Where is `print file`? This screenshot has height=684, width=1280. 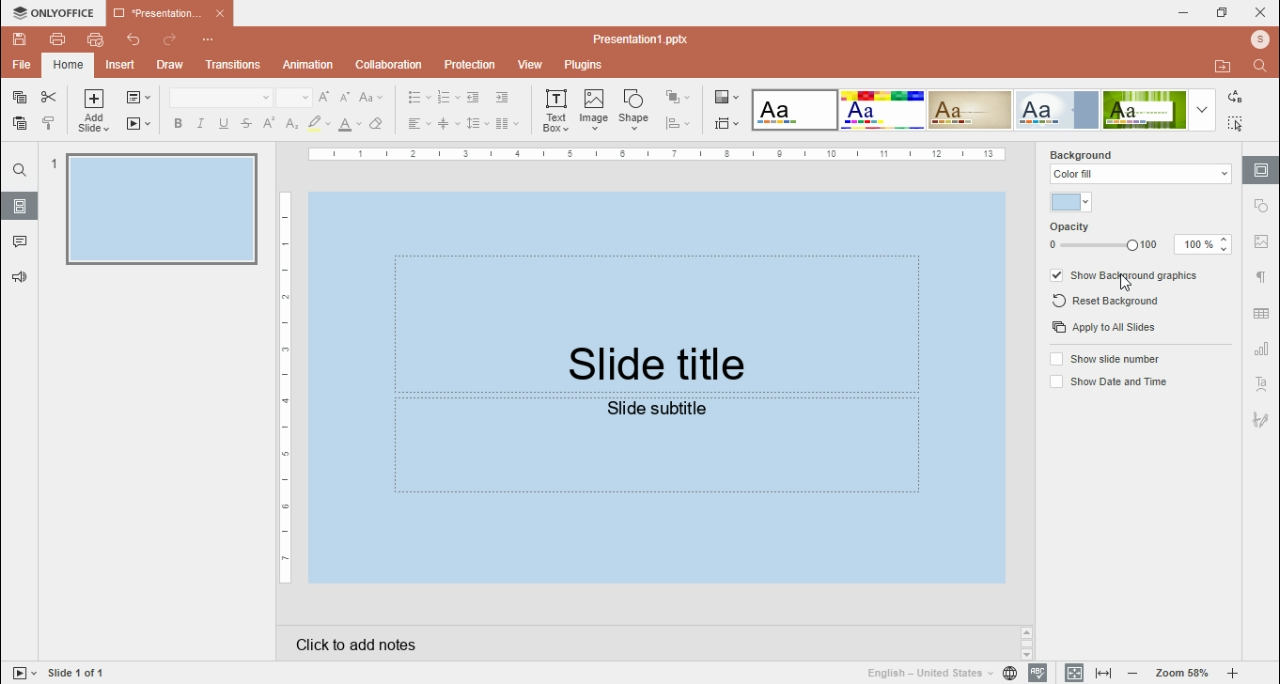
print file is located at coordinates (58, 39).